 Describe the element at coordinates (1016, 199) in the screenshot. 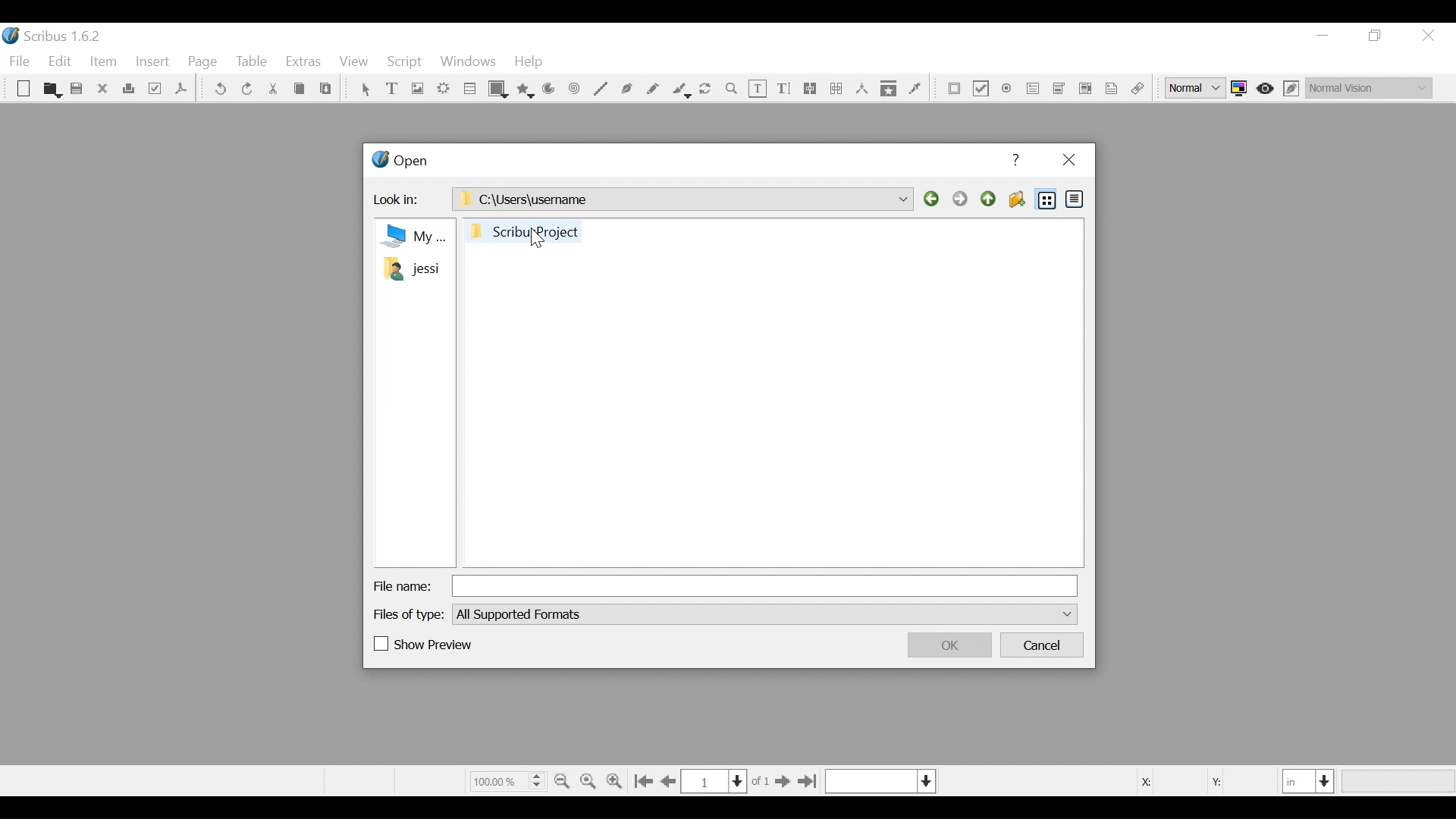

I see `Create Folder` at that location.